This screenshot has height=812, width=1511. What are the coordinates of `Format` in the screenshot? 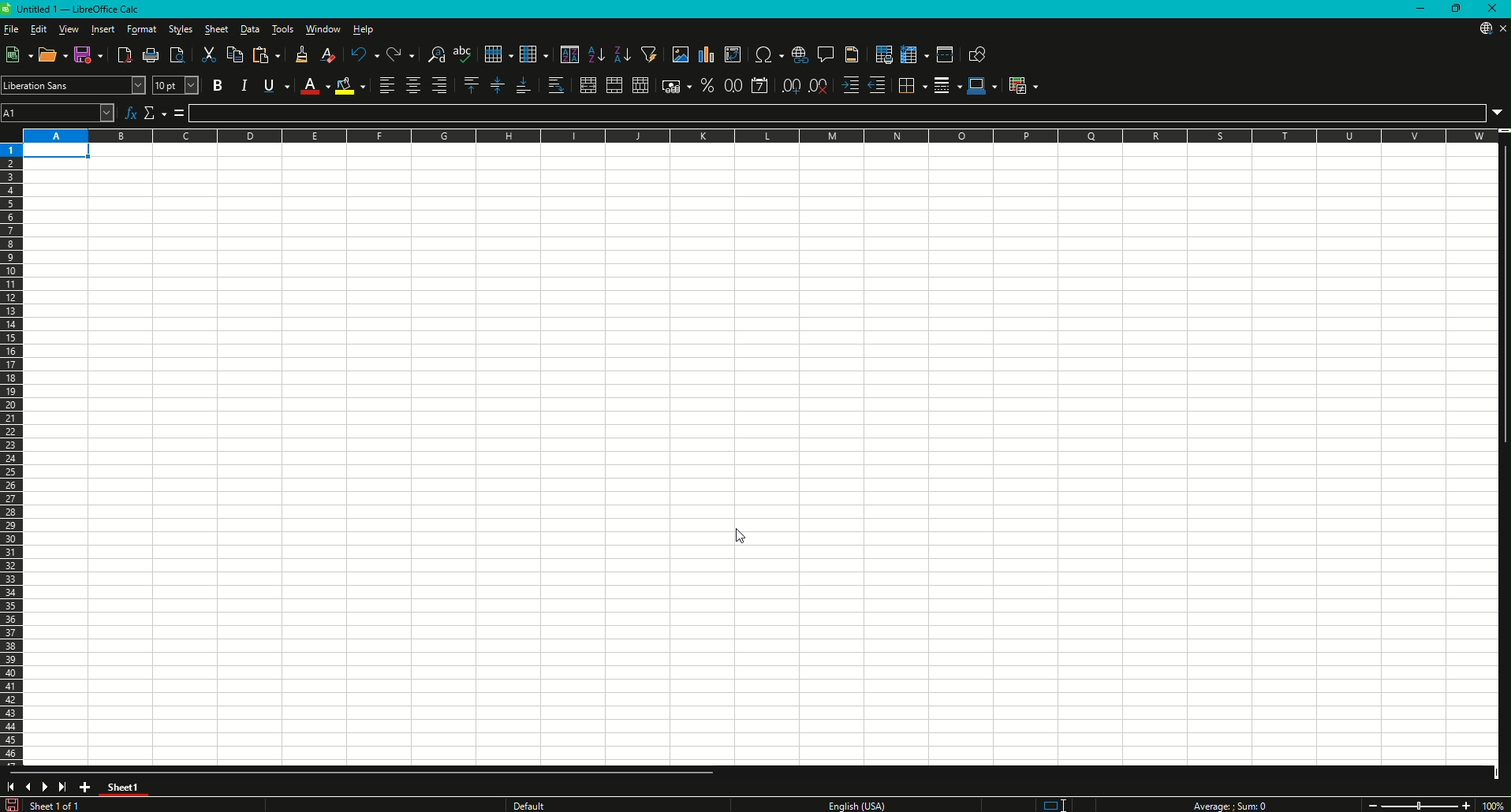 It's located at (143, 28).